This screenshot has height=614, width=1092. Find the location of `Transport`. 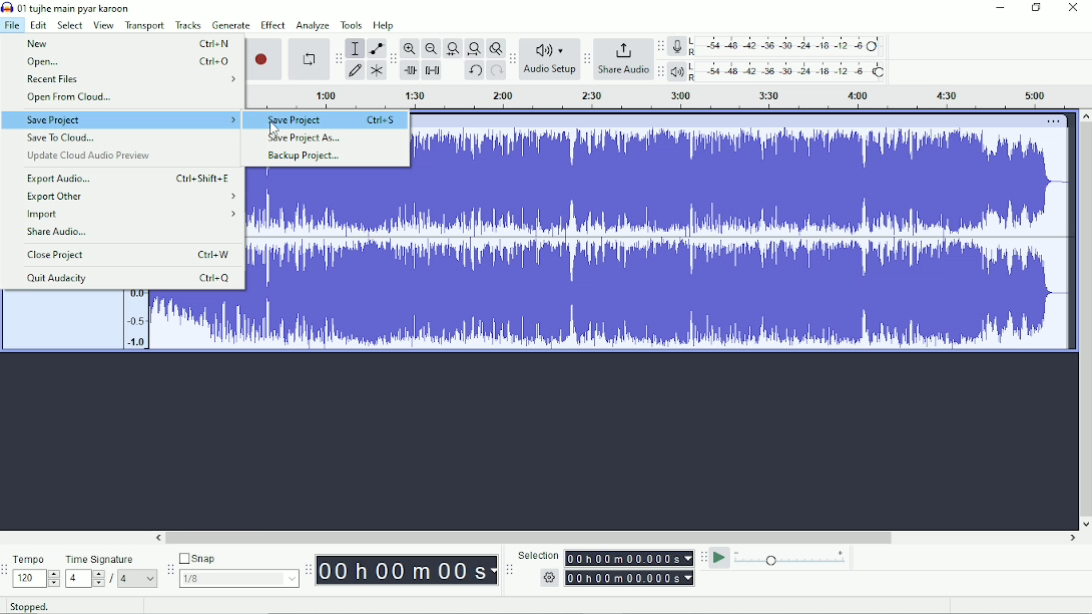

Transport is located at coordinates (145, 25).